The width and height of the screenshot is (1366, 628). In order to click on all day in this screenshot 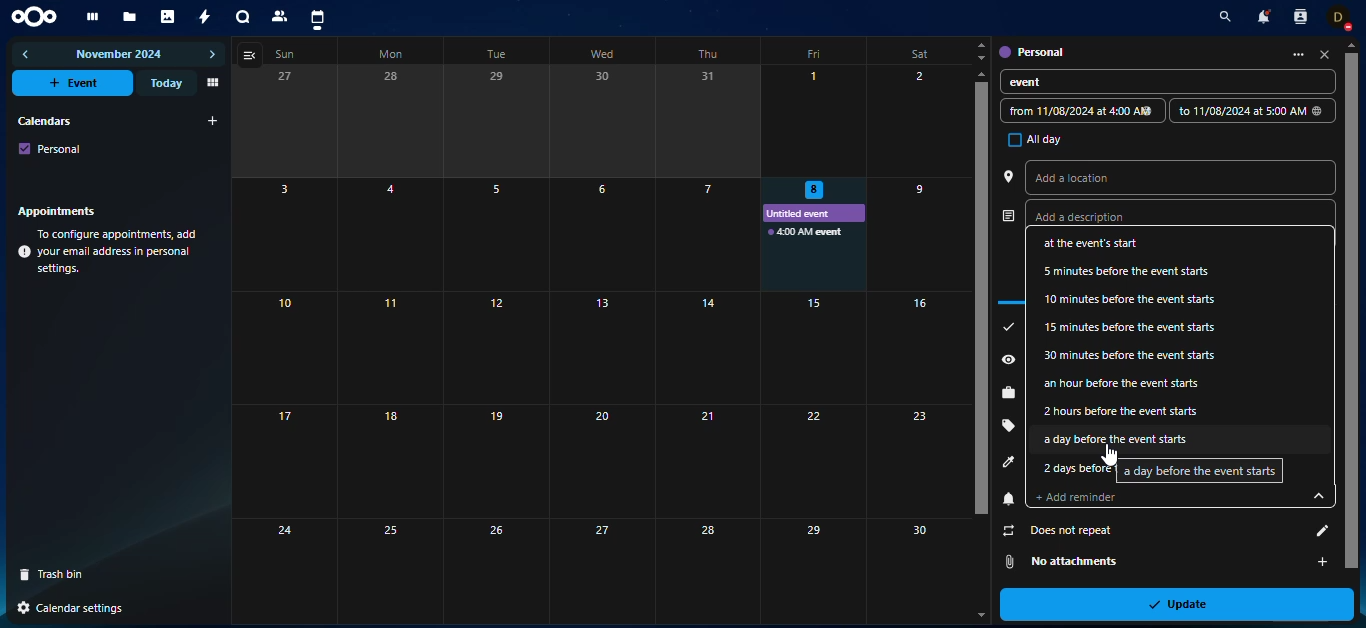, I will do `click(1029, 139)`.